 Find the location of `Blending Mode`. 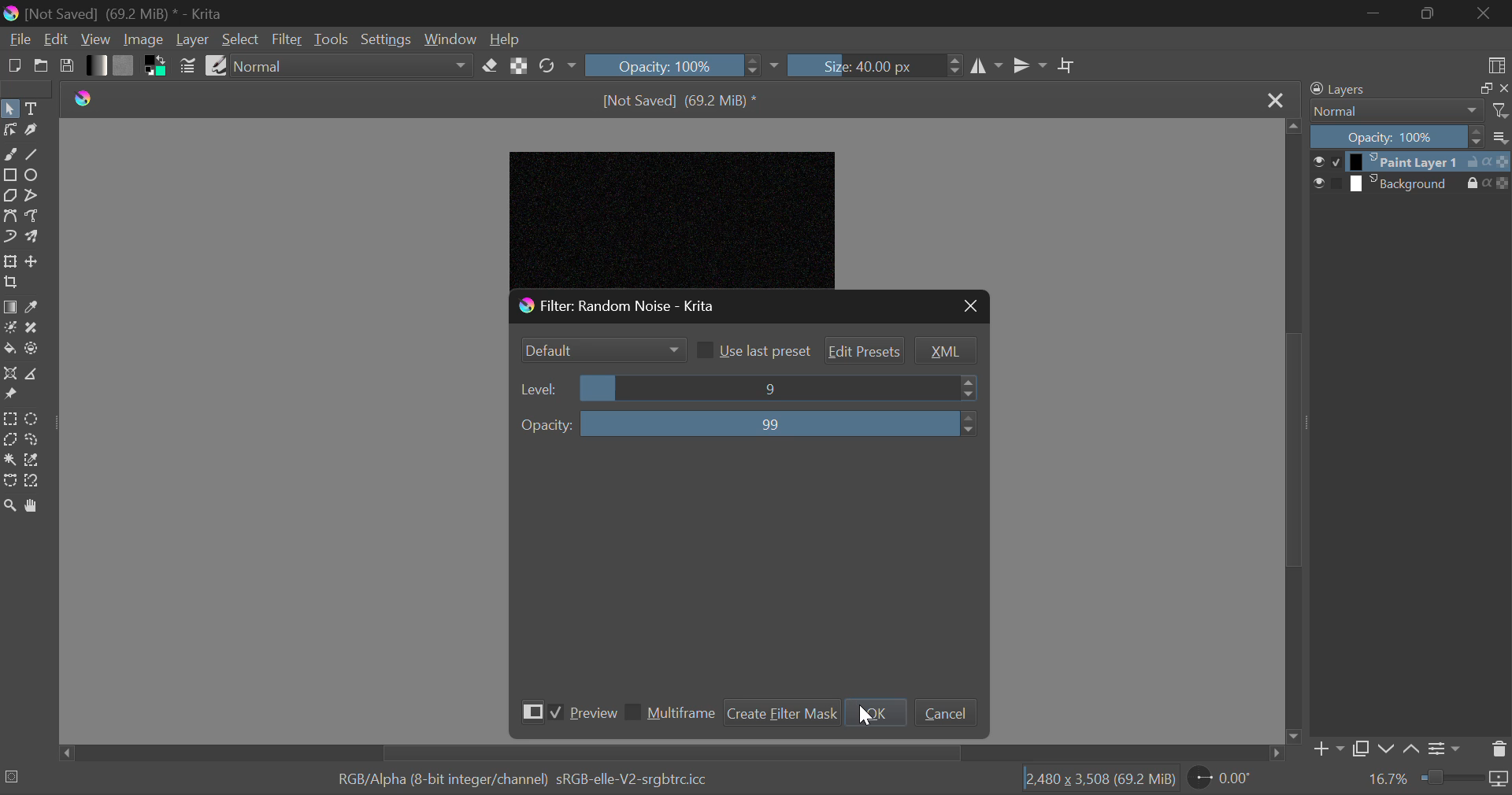

Blending Mode is located at coordinates (352, 68).